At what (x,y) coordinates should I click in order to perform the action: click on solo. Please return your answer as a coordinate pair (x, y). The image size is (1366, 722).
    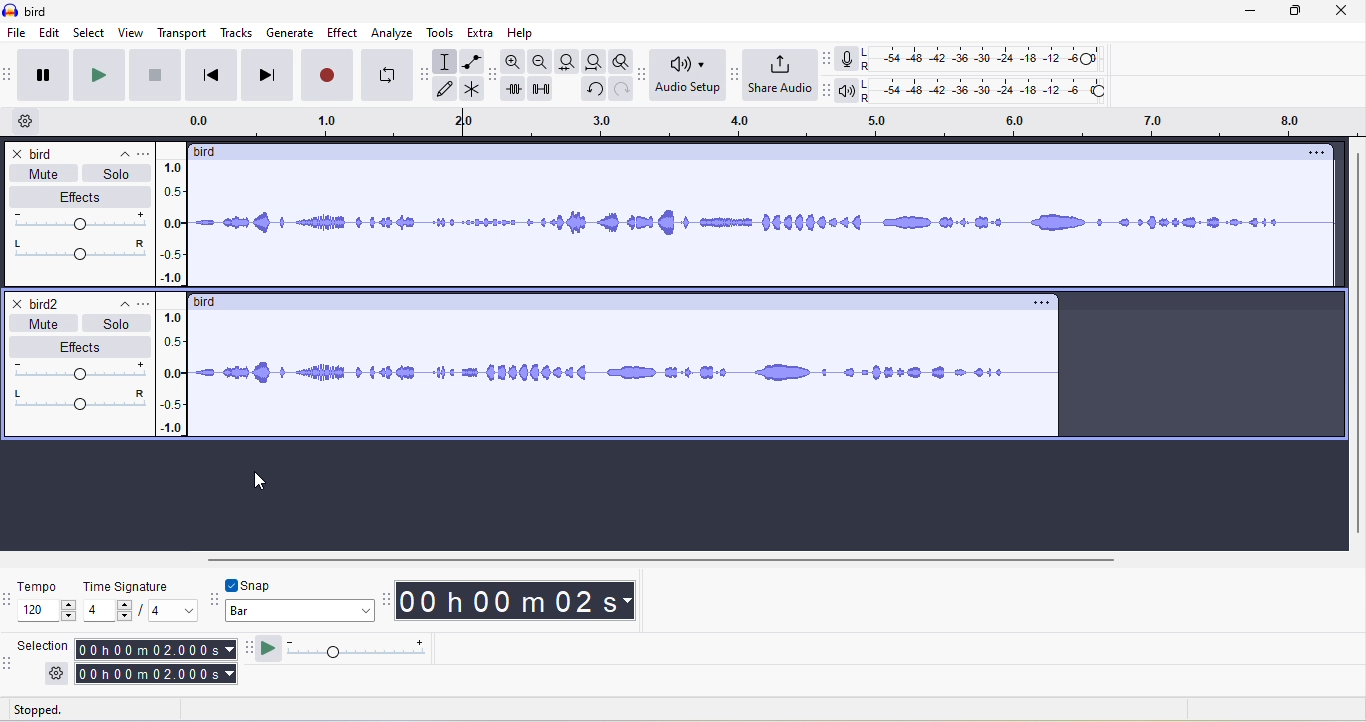
    Looking at the image, I should click on (117, 322).